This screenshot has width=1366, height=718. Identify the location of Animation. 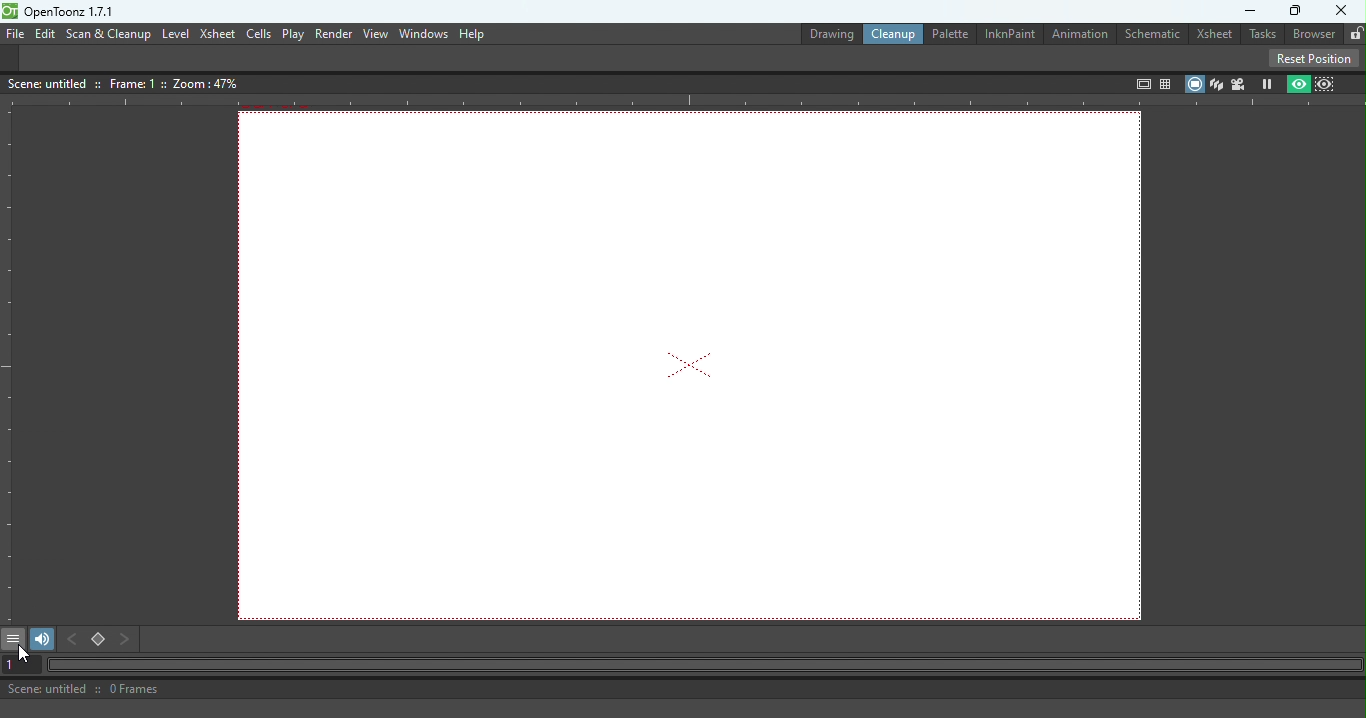
(1082, 35).